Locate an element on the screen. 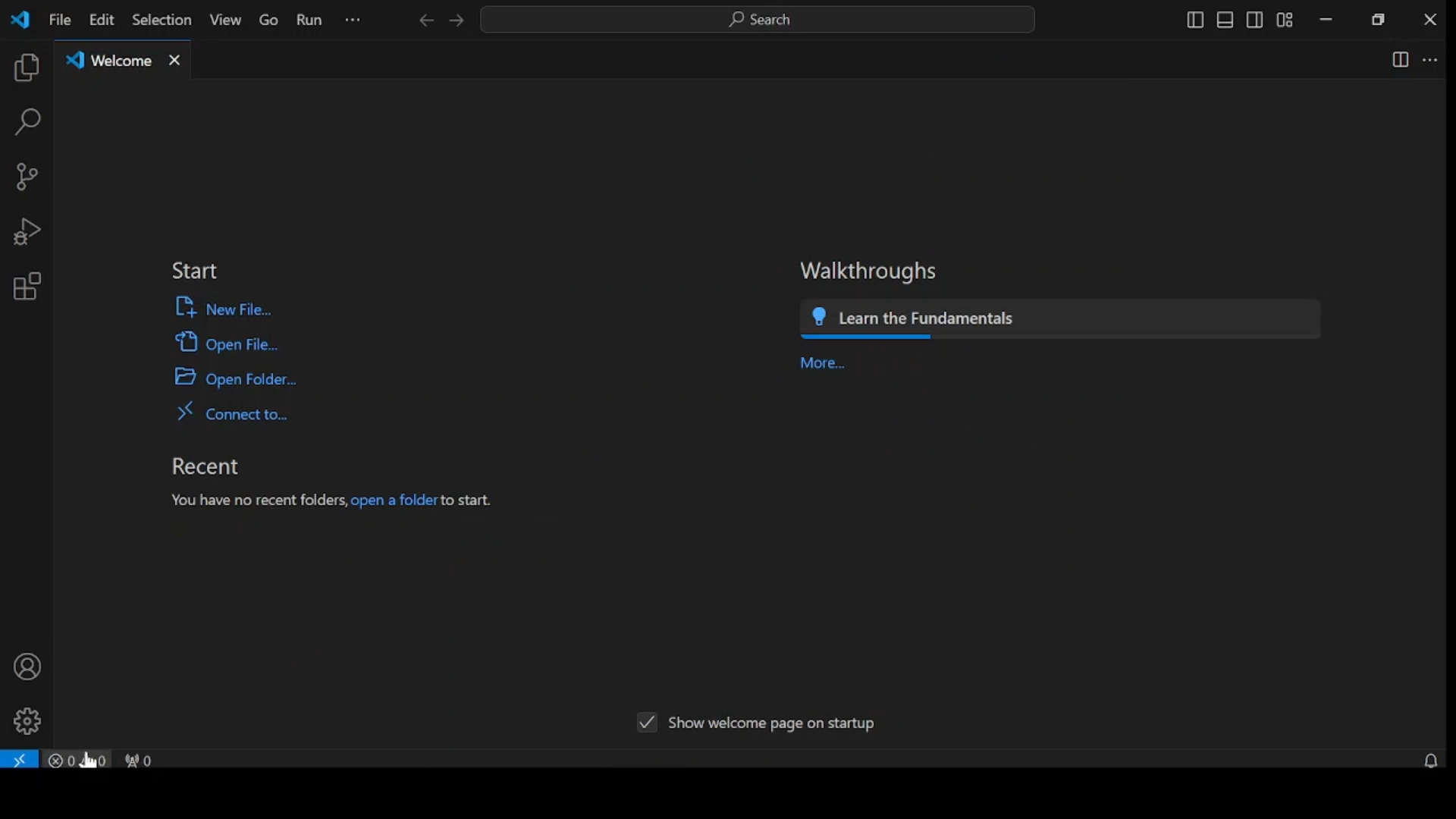 Image resolution: width=1456 pixels, height=819 pixels. accounts is located at coordinates (24, 666).